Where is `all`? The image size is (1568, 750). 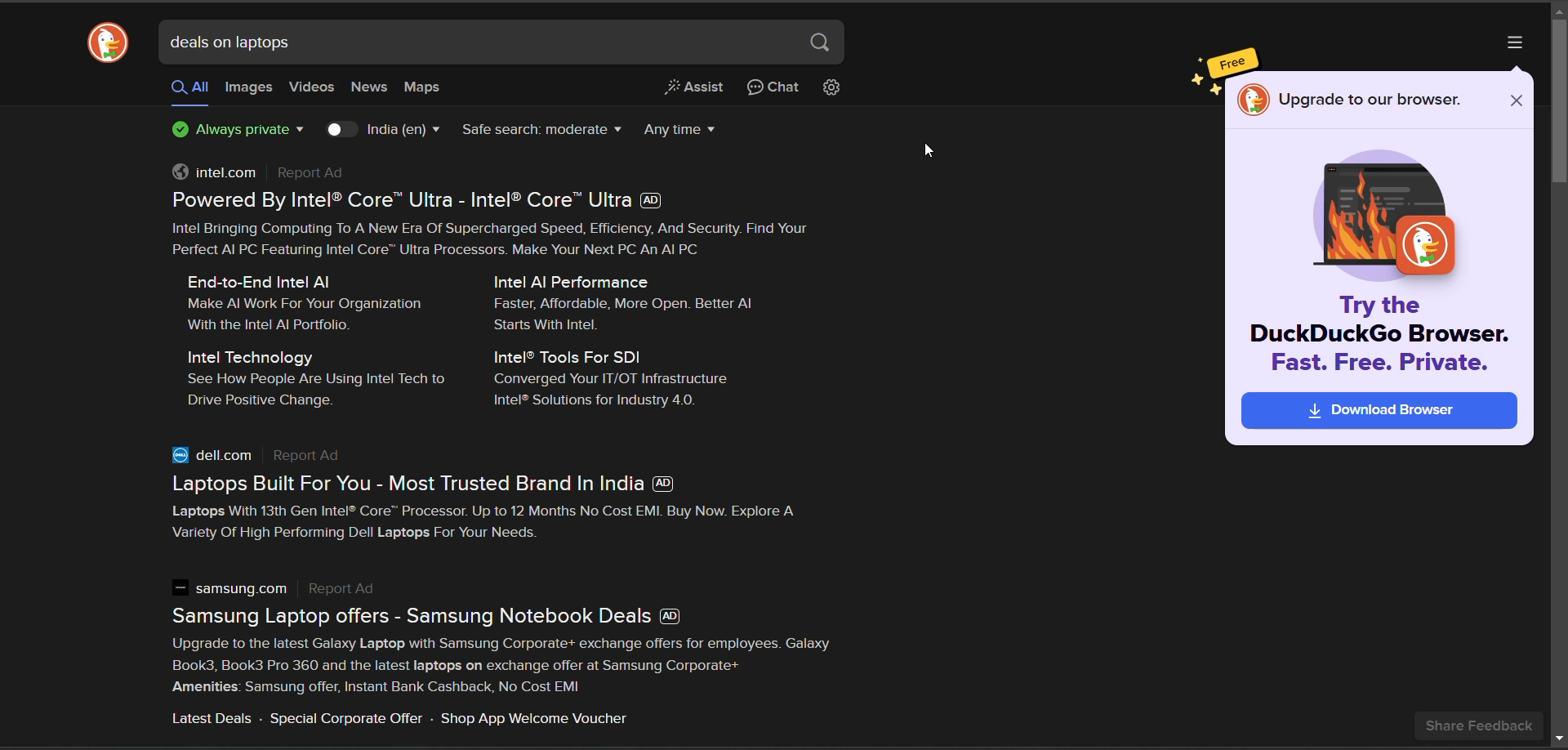
all is located at coordinates (190, 87).